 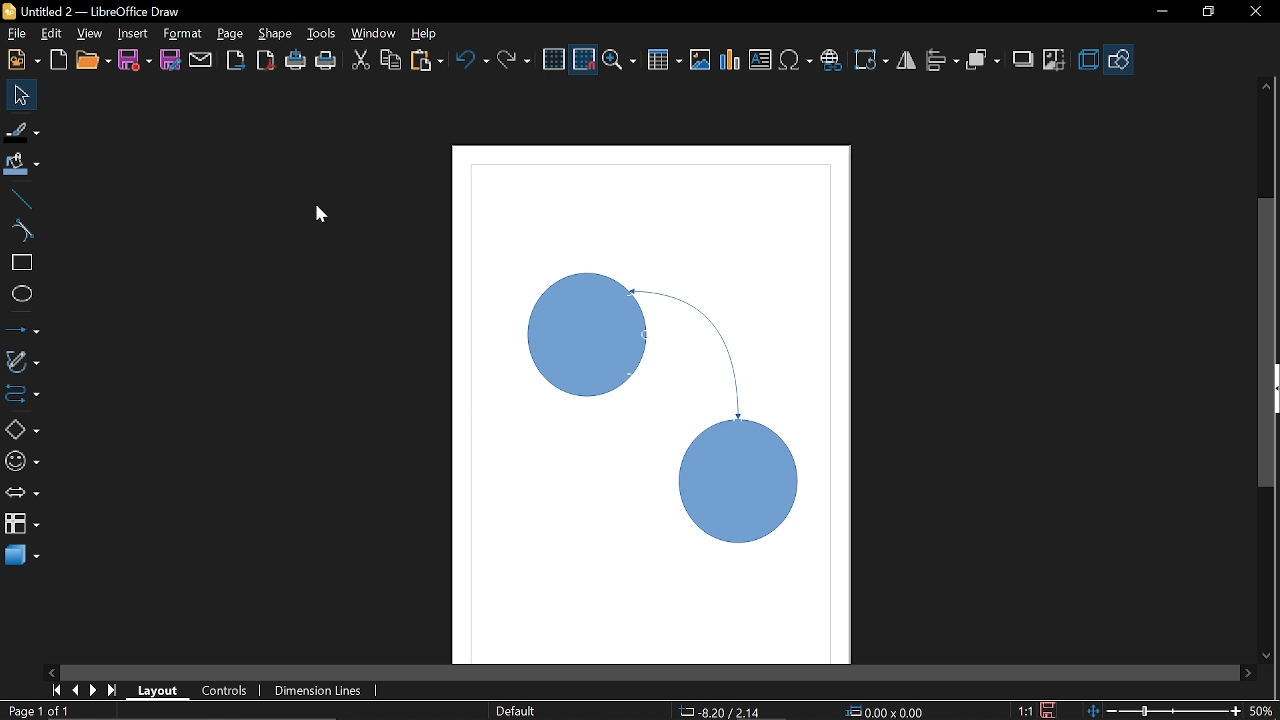 What do you see at coordinates (1262, 710) in the screenshot?
I see `Current zoom` at bounding box center [1262, 710].